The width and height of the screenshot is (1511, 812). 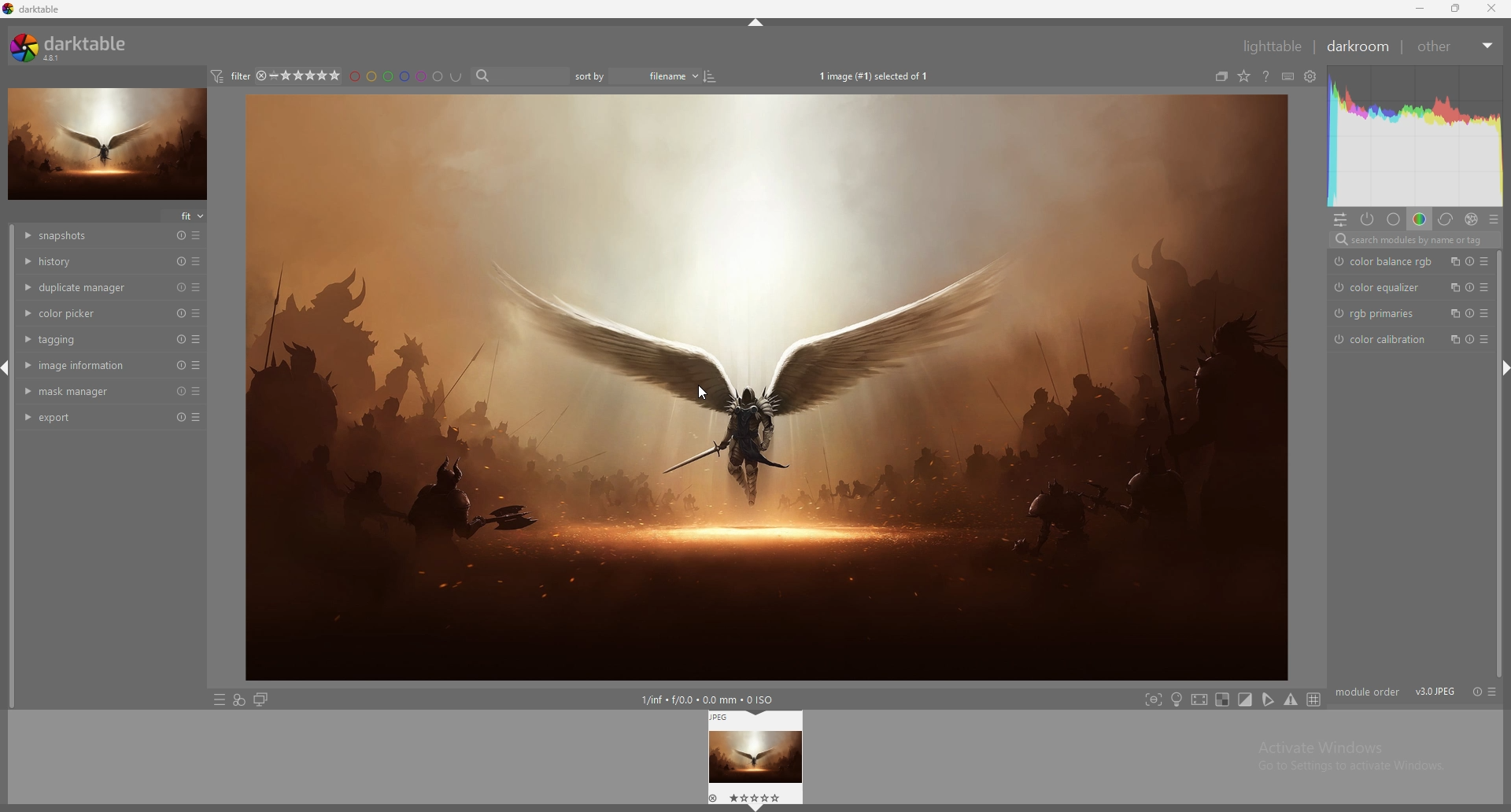 I want to click on hide, so click(x=6, y=371).